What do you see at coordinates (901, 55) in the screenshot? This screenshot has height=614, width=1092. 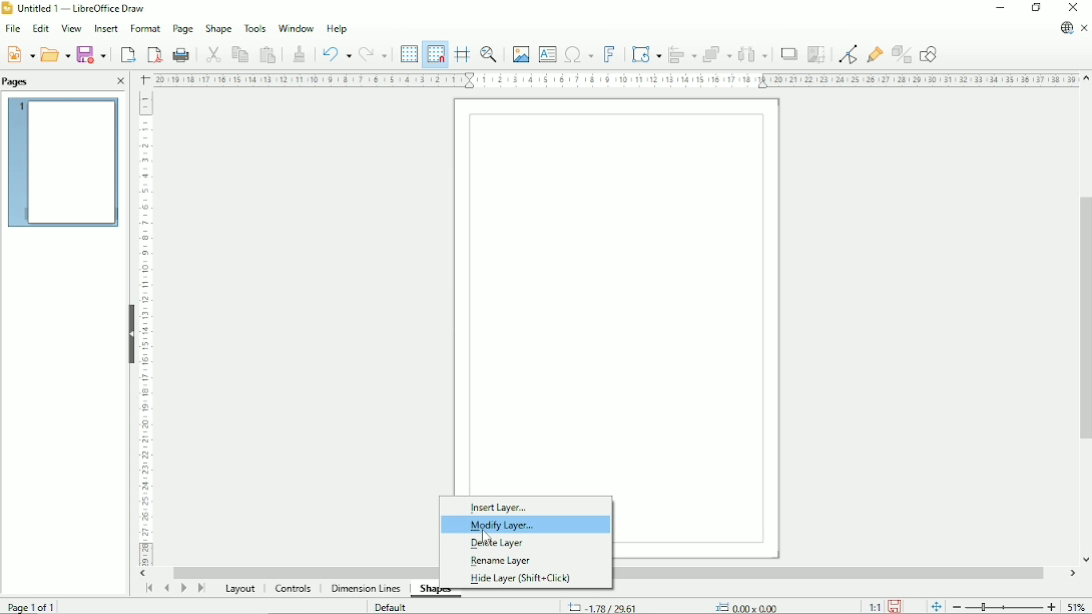 I see `Toggle extrusion` at bounding box center [901, 55].